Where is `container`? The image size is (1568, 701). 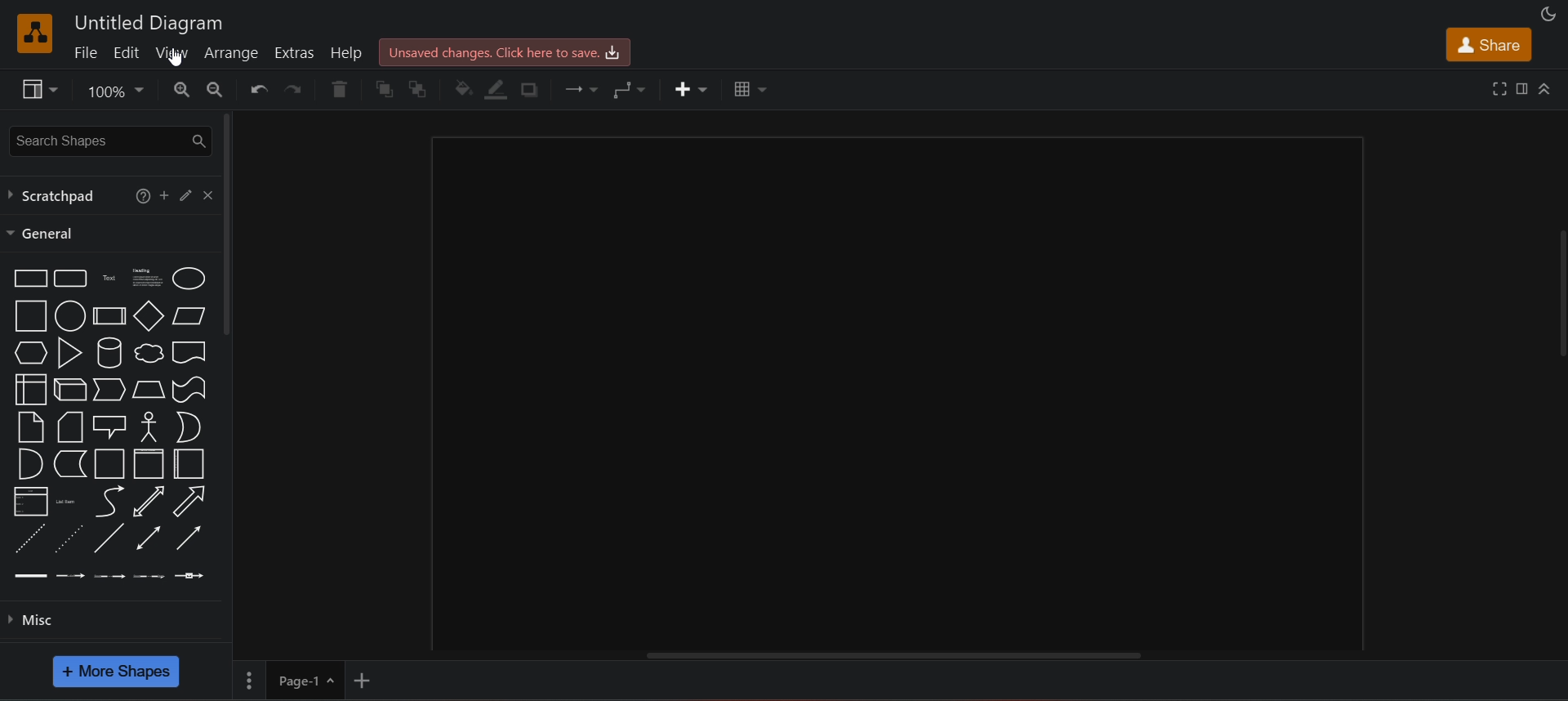
container is located at coordinates (188, 465).